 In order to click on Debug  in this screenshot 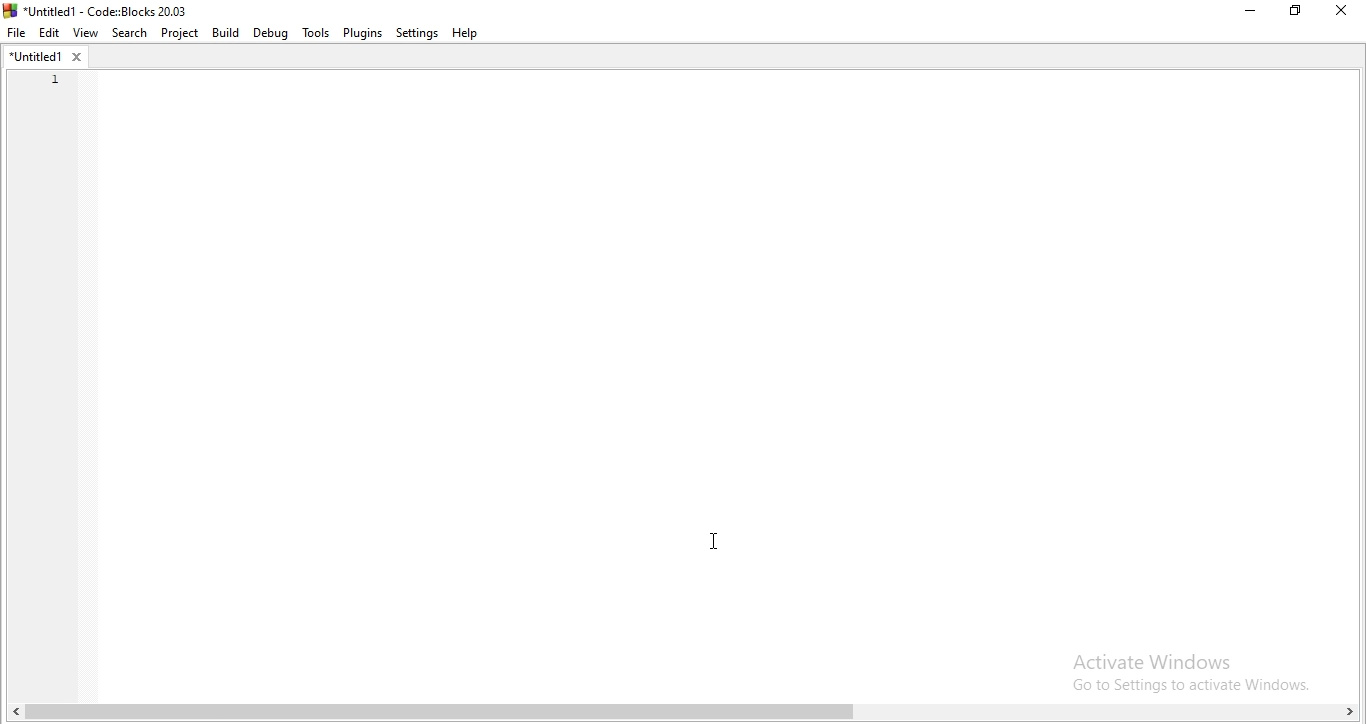, I will do `click(270, 31)`.